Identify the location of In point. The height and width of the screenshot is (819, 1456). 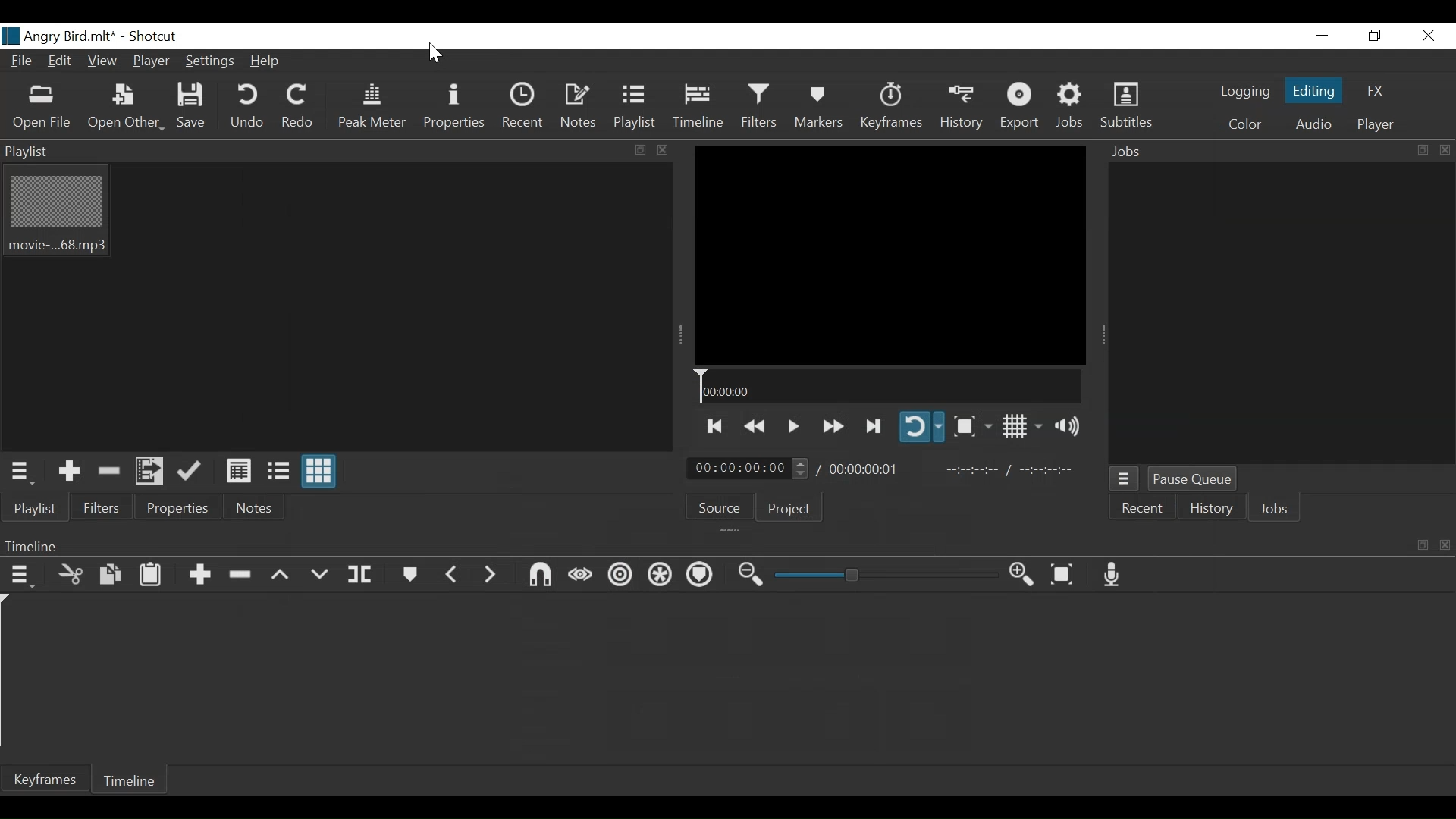
(1009, 472).